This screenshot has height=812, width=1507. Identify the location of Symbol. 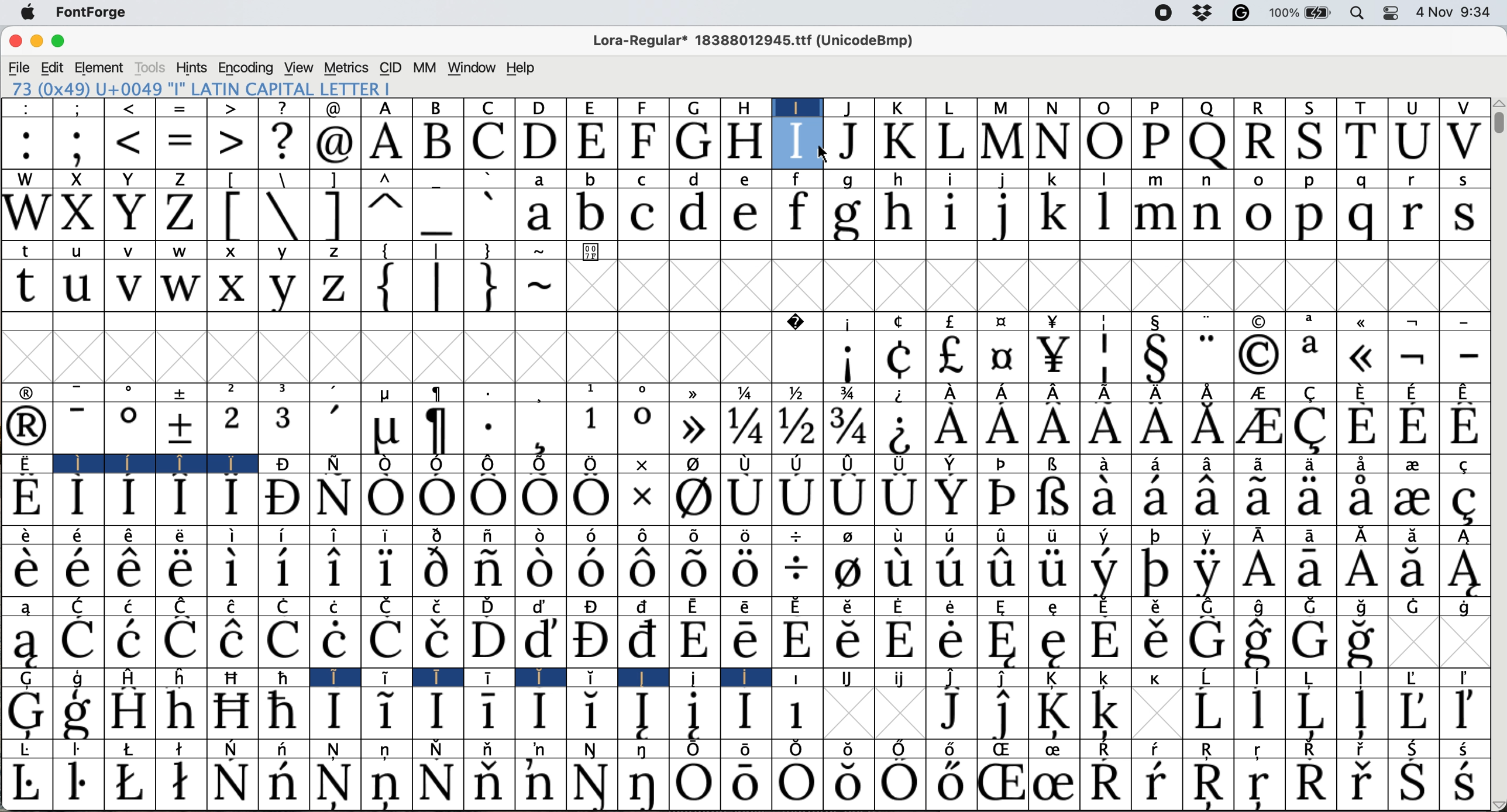
(387, 431).